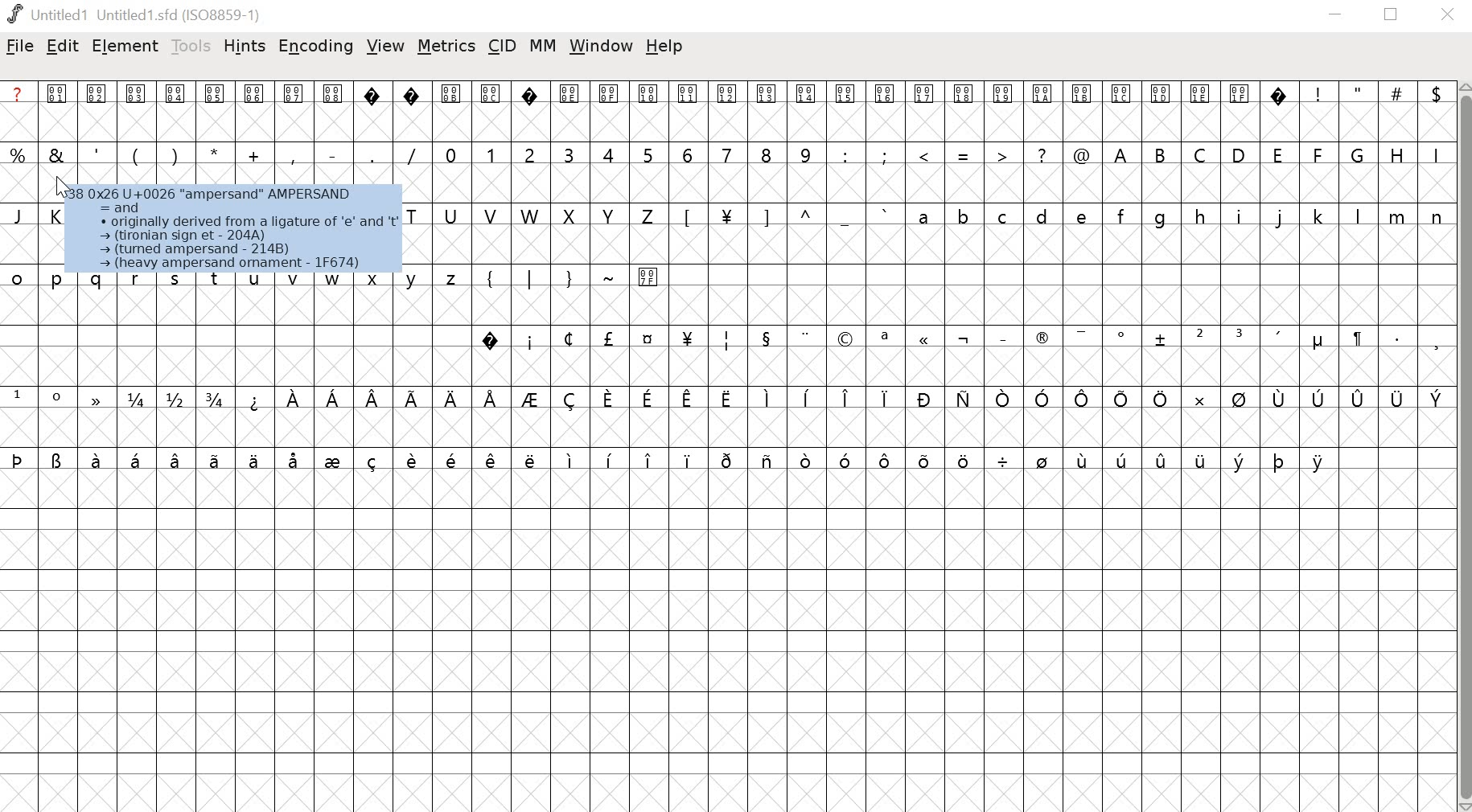 Image resolution: width=1472 pixels, height=812 pixels. I want to click on ,, so click(1436, 342).